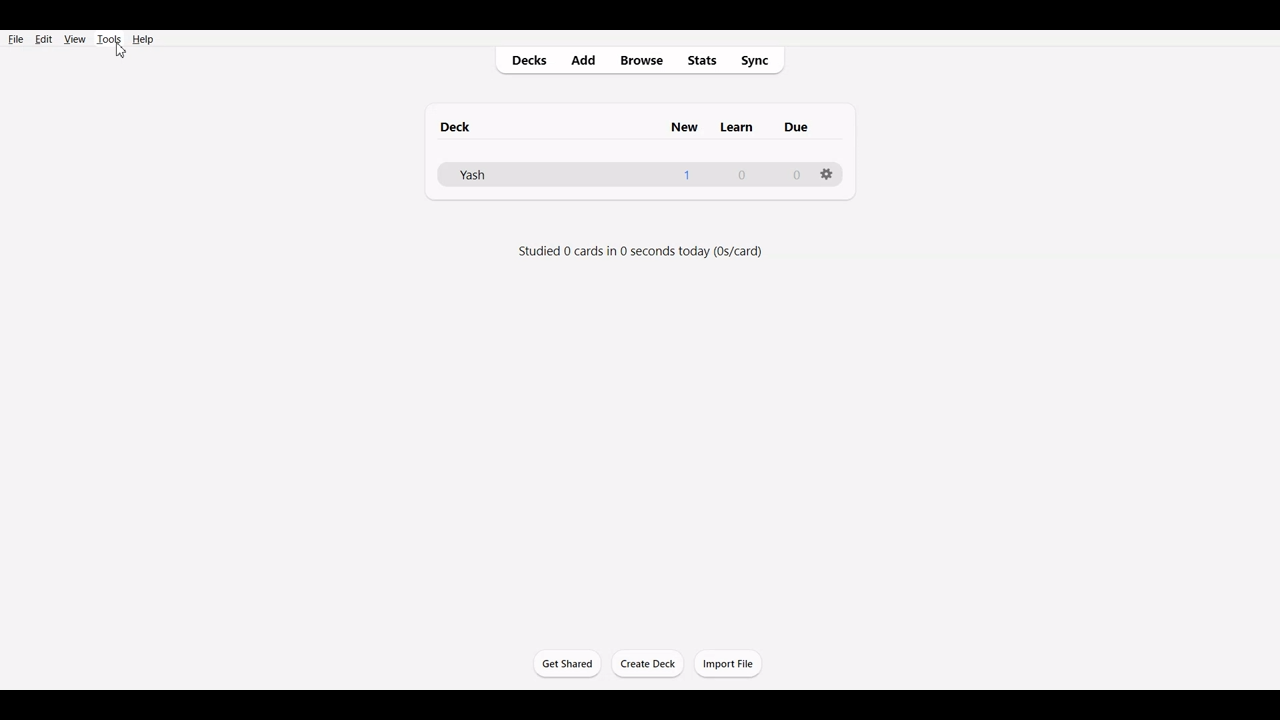  What do you see at coordinates (504, 174) in the screenshot?
I see `Deck File` at bounding box center [504, 174].